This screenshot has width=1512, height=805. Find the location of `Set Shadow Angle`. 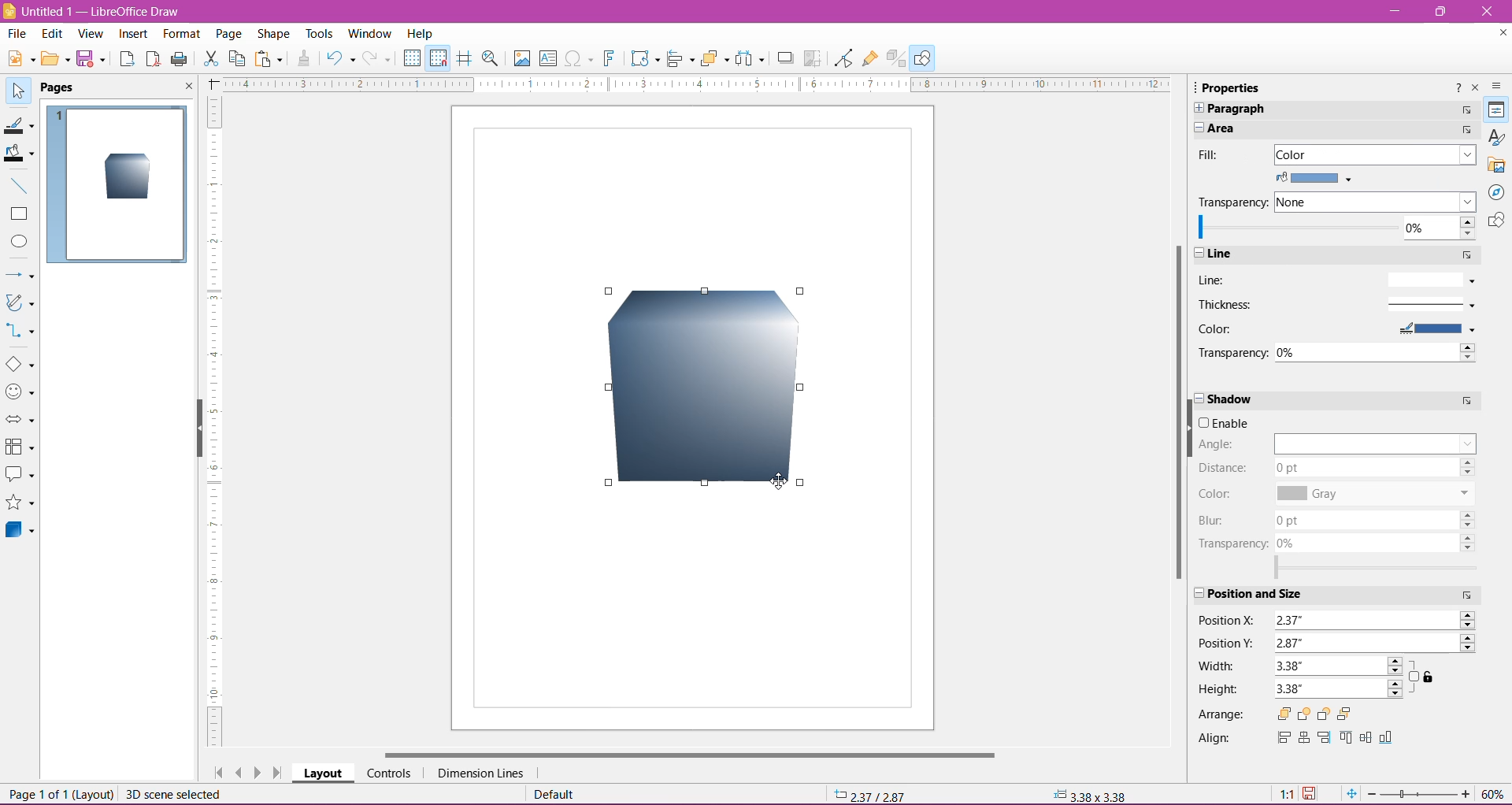

Set Shadow Angle is located at coordinates (1375, 443).